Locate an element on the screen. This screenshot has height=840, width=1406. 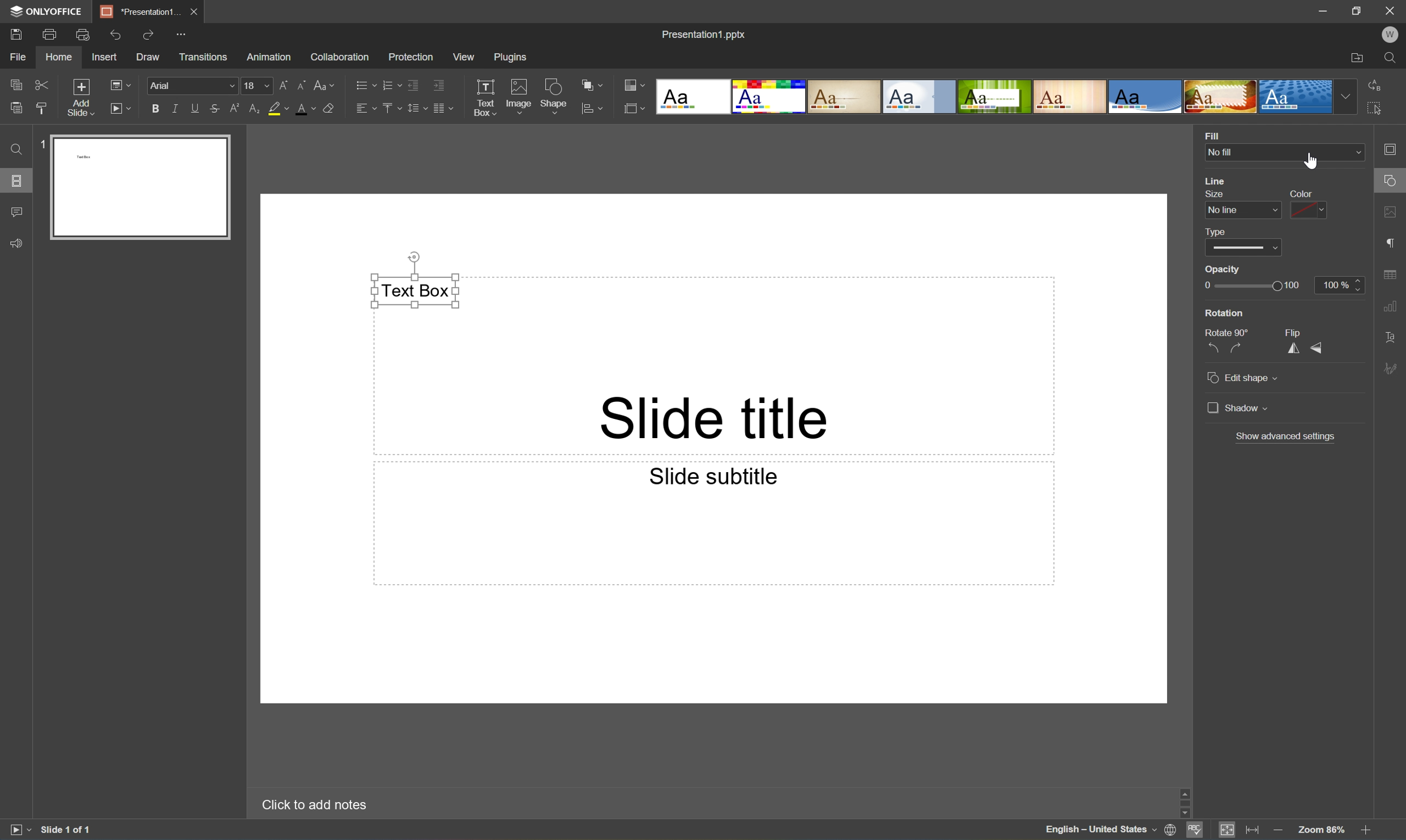
Start Slideshow is located at coordinates (119, 108).